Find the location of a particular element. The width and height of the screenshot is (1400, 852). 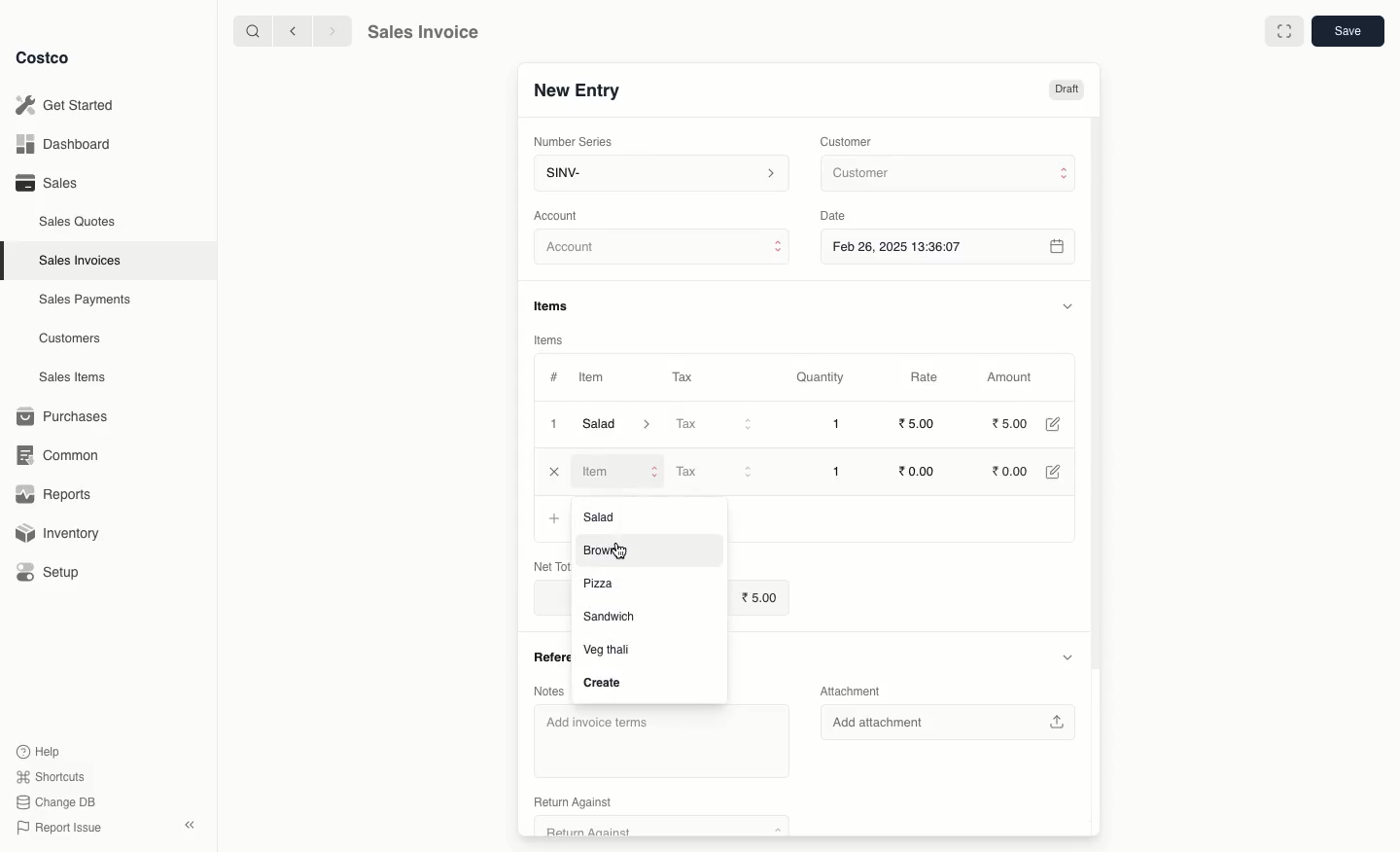

Collapse is located at coordinates (192, 826).